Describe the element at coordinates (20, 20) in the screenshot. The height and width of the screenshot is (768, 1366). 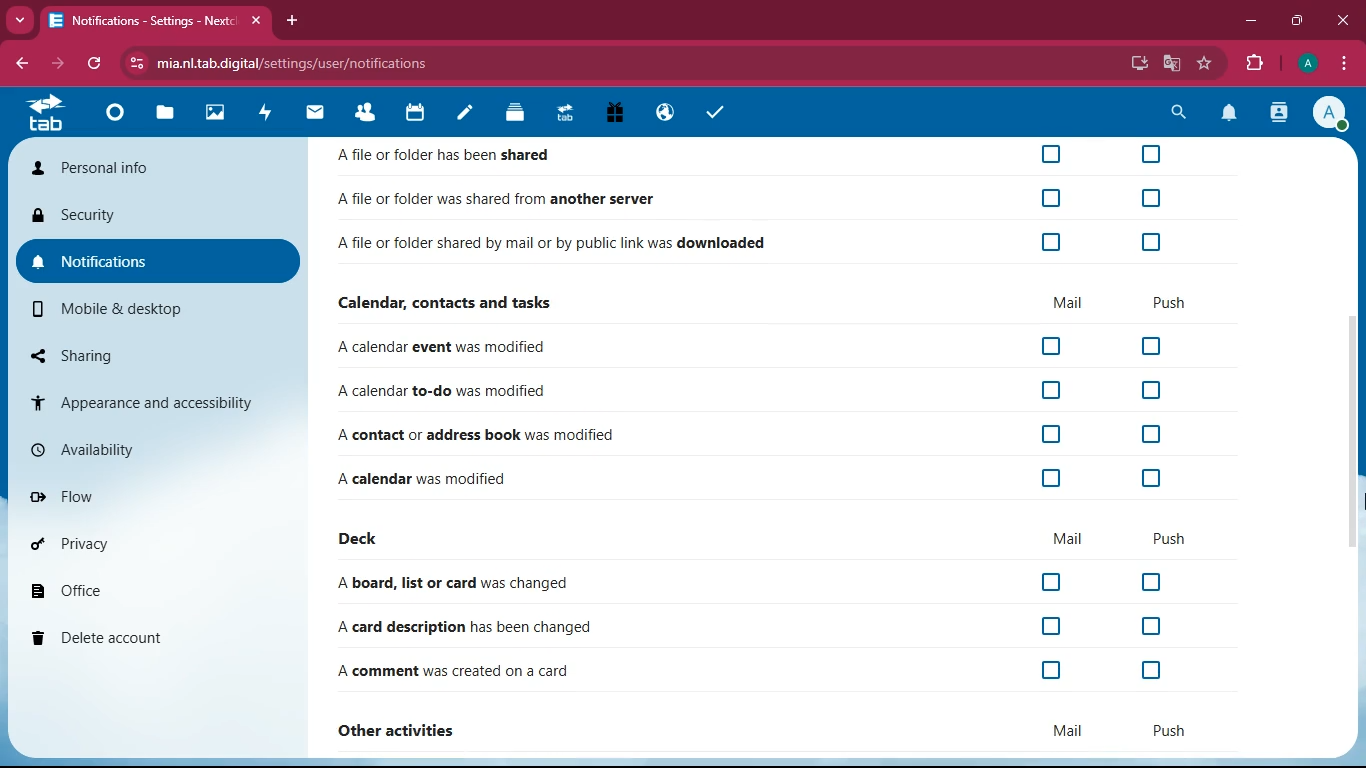
I see `more` at that location.